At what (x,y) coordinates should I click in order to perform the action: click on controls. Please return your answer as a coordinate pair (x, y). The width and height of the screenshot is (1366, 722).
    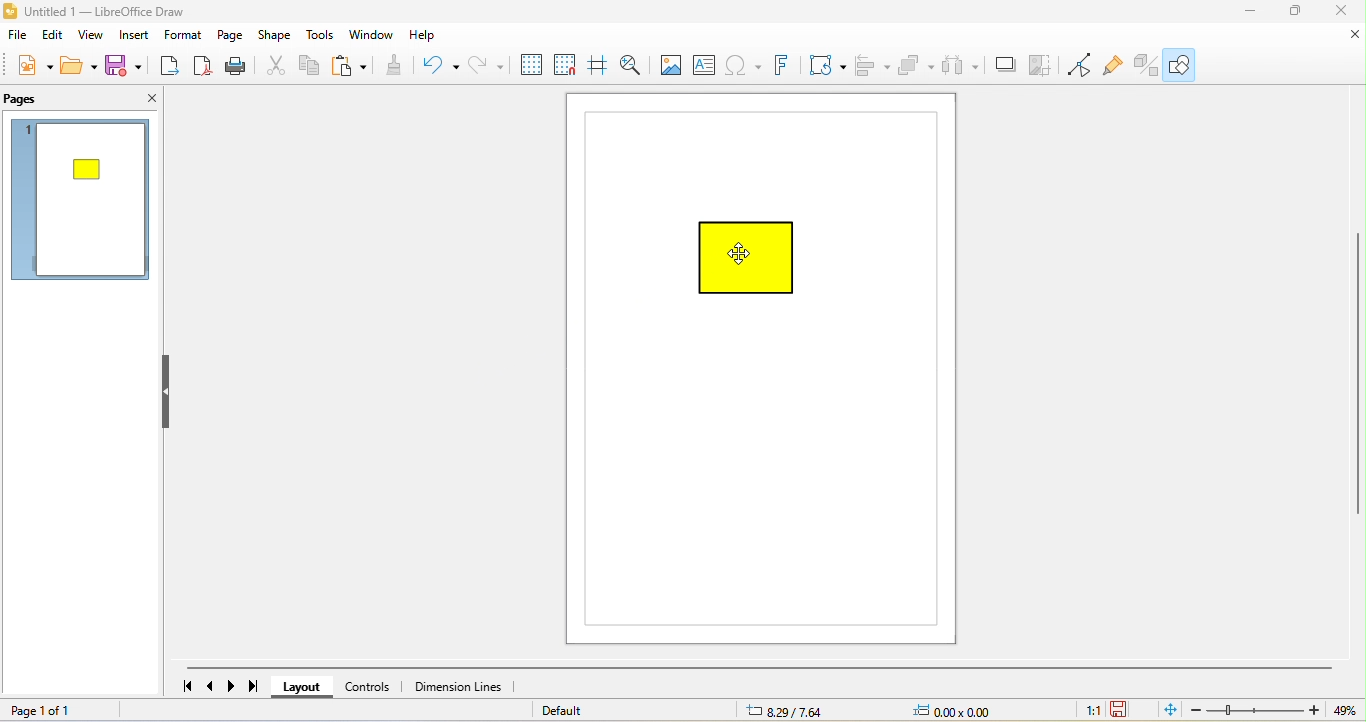
    Looking at the image, I should click on (372, 687).